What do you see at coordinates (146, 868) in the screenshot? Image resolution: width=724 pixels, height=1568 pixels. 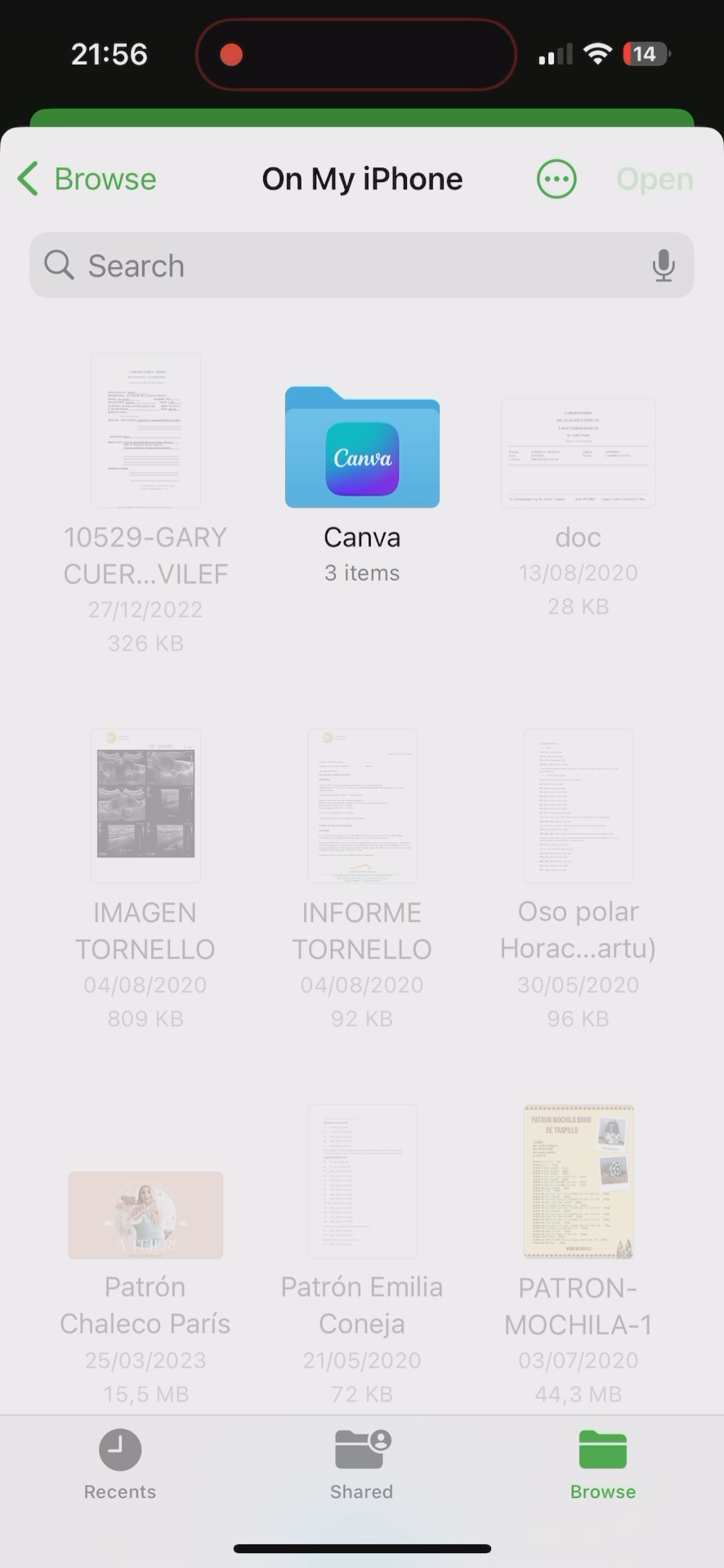 I see `IMAGEN
TORNELLO` at bounding box center [146, 868].